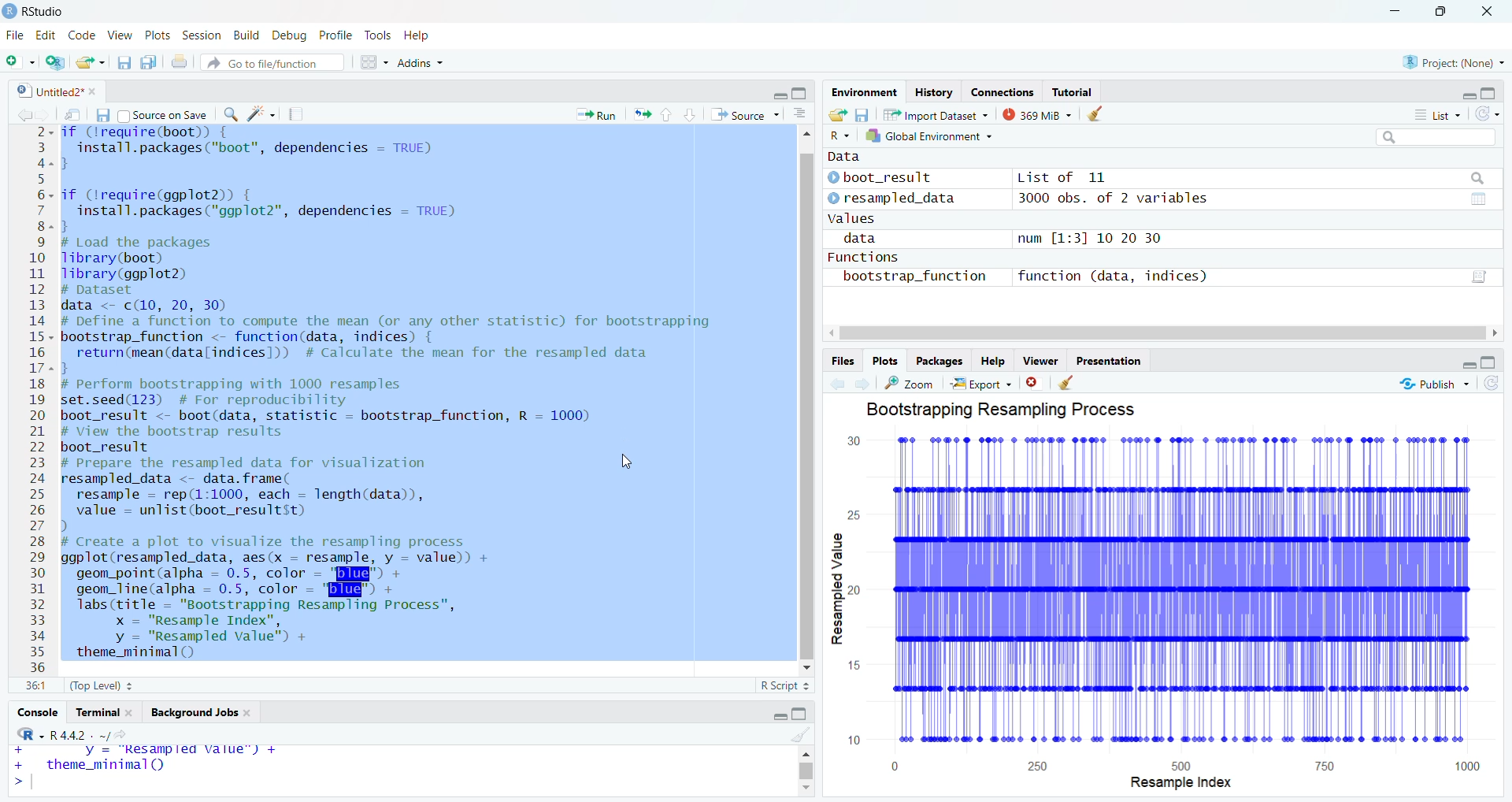 The image size is (1512, 802). What do you see at coordinates (262, 113) in the screenshot?
I see `code tools` at bounding box center [262, 113].